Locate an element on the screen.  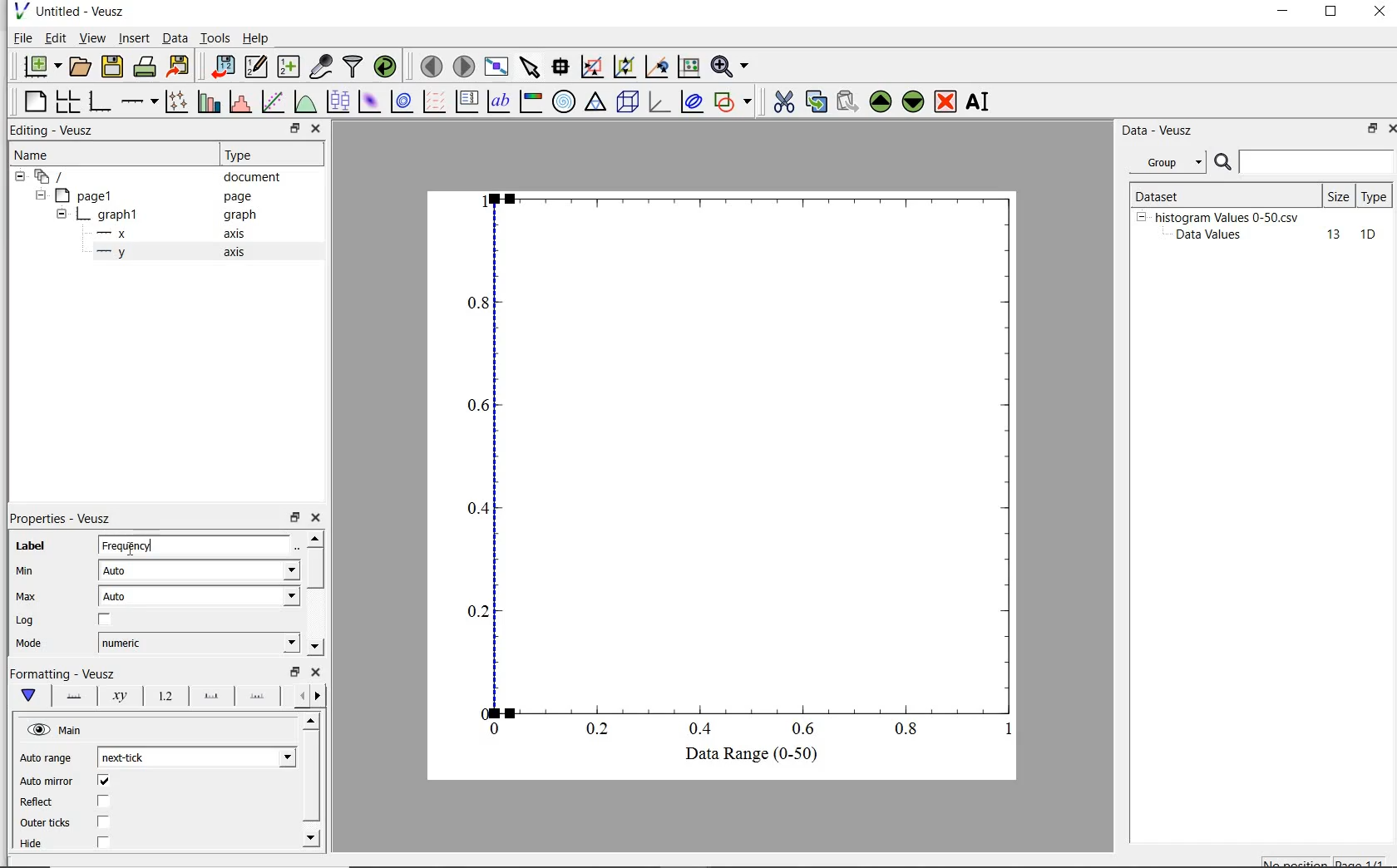
move down is located at coordinates (314, 647).